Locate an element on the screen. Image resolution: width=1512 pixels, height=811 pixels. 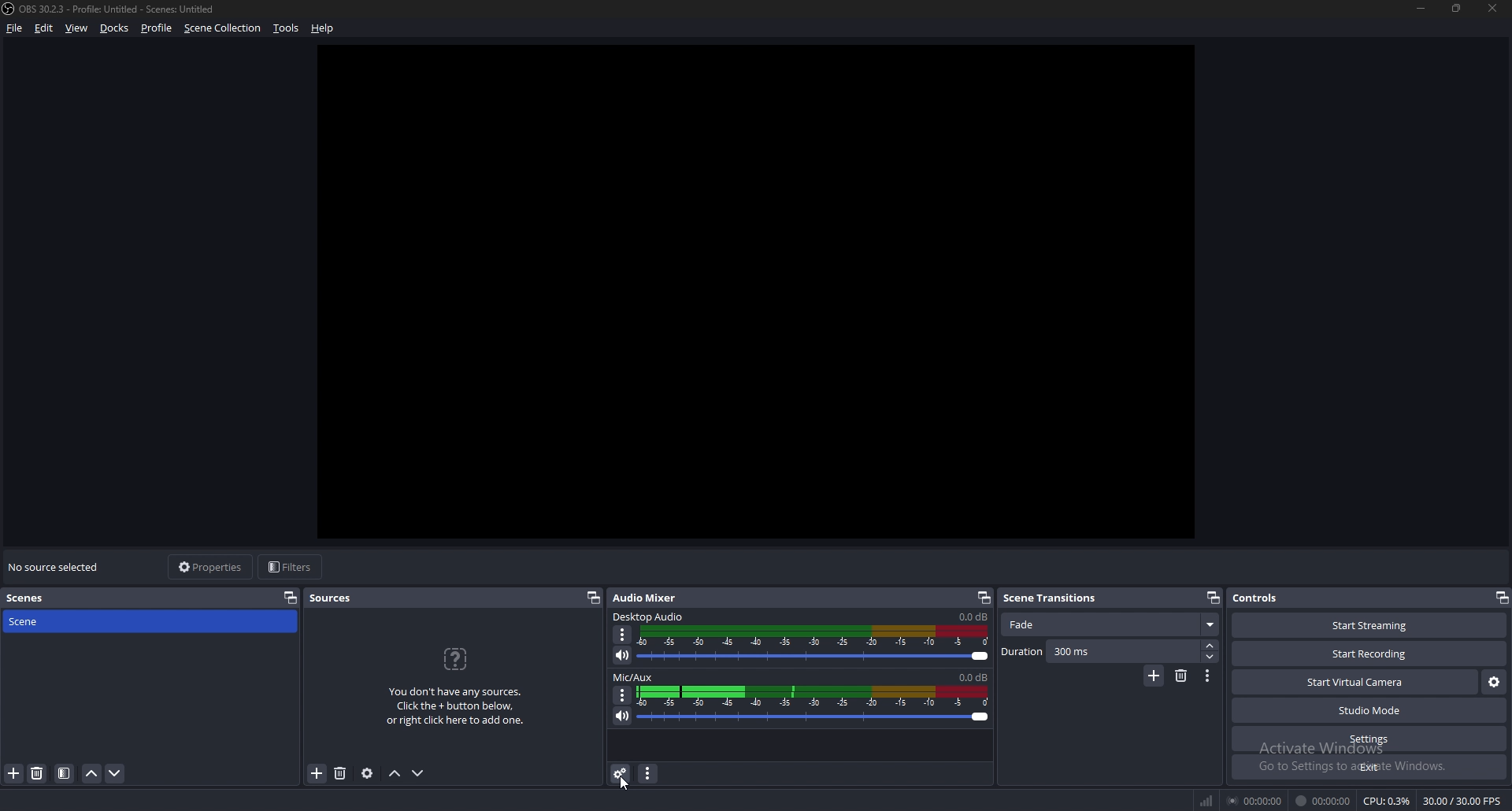
start streaming is located at coordinates (1360, 626).